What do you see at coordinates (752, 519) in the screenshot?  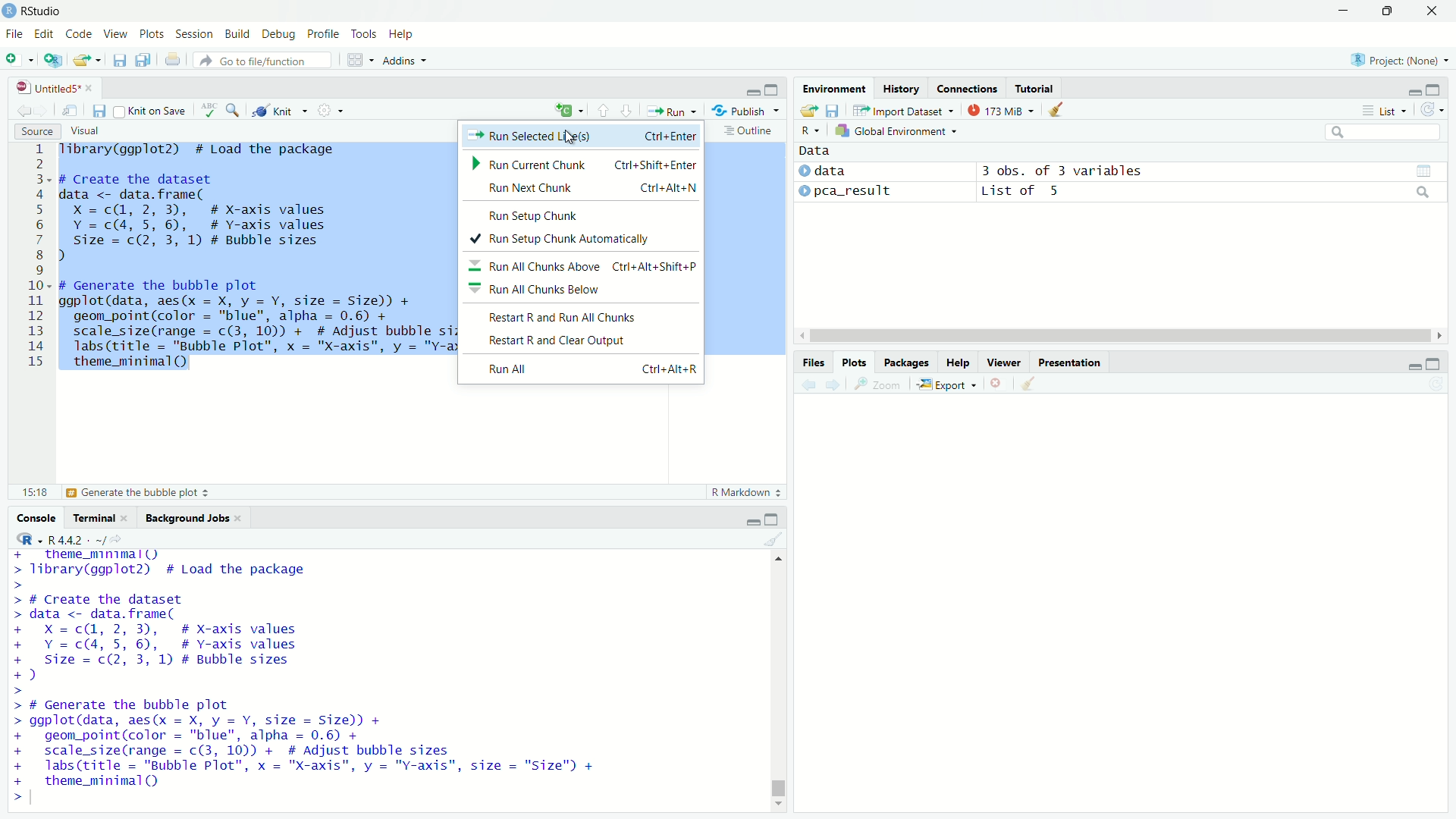 I see `minimize` at bounding box center [752, 519].